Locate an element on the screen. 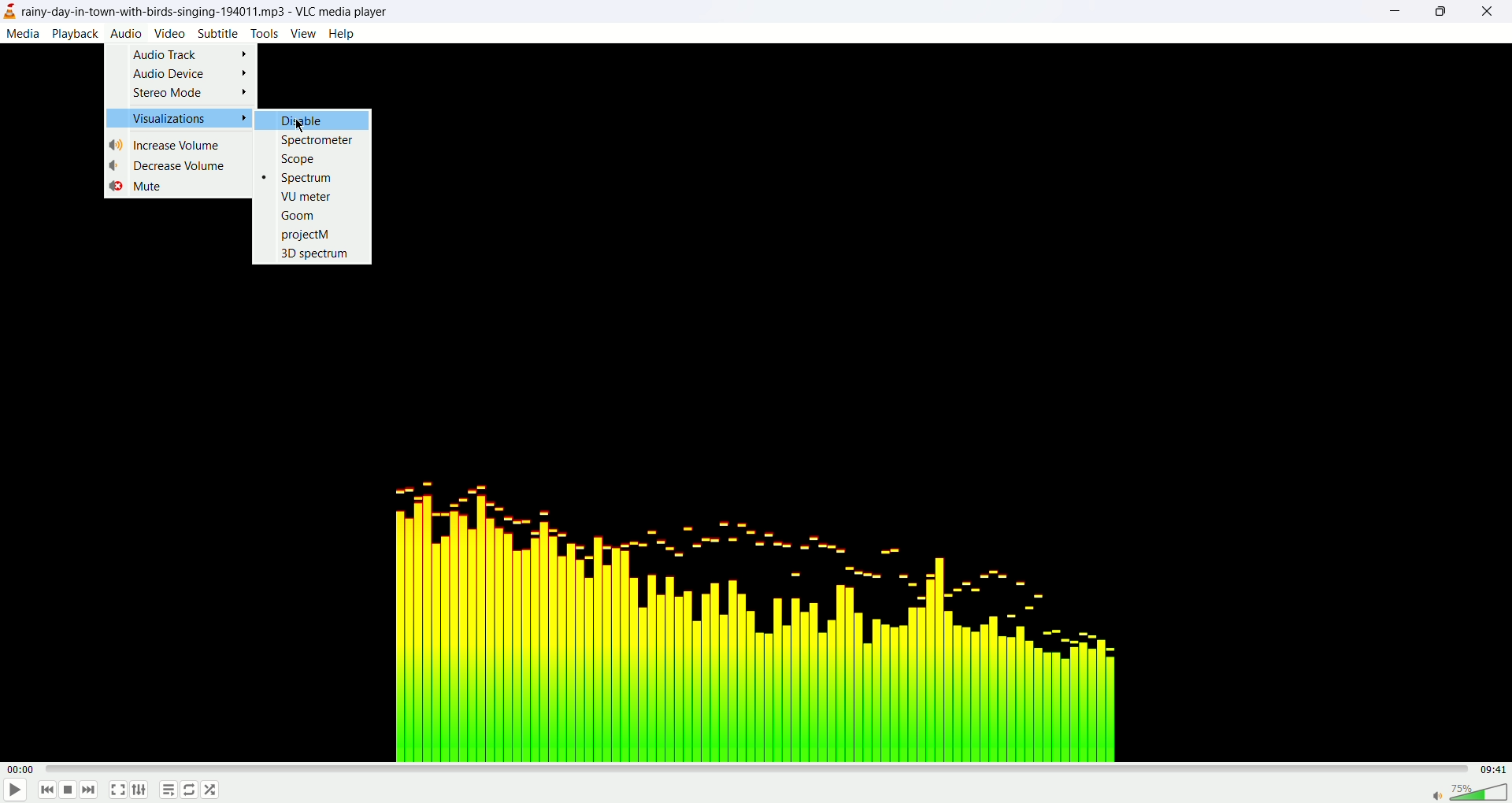  spectrum is located at coordinates (298, 178).